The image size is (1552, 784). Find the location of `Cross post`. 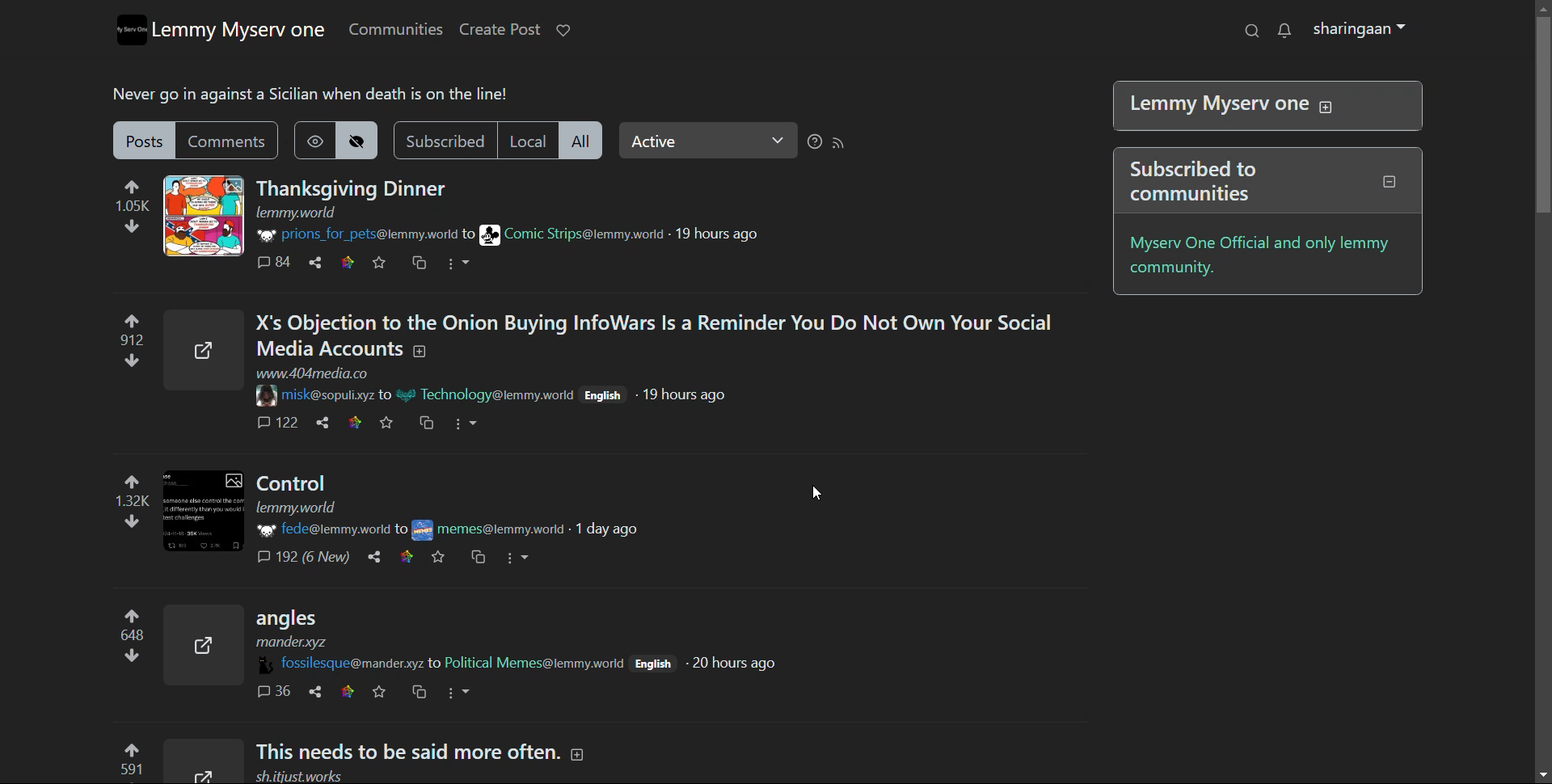

Cross post is located at coordinates (424, 424).